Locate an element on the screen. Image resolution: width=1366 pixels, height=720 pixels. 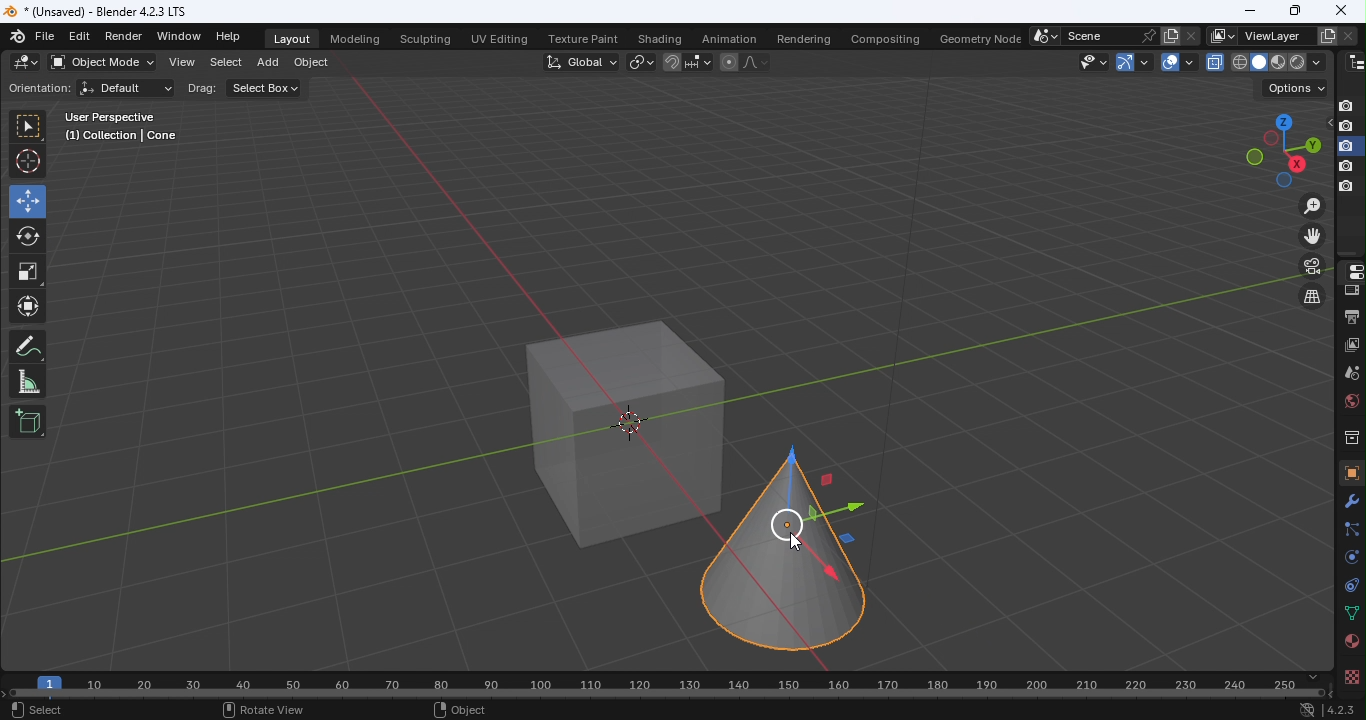
Object is located at coordinates (1349, 472).